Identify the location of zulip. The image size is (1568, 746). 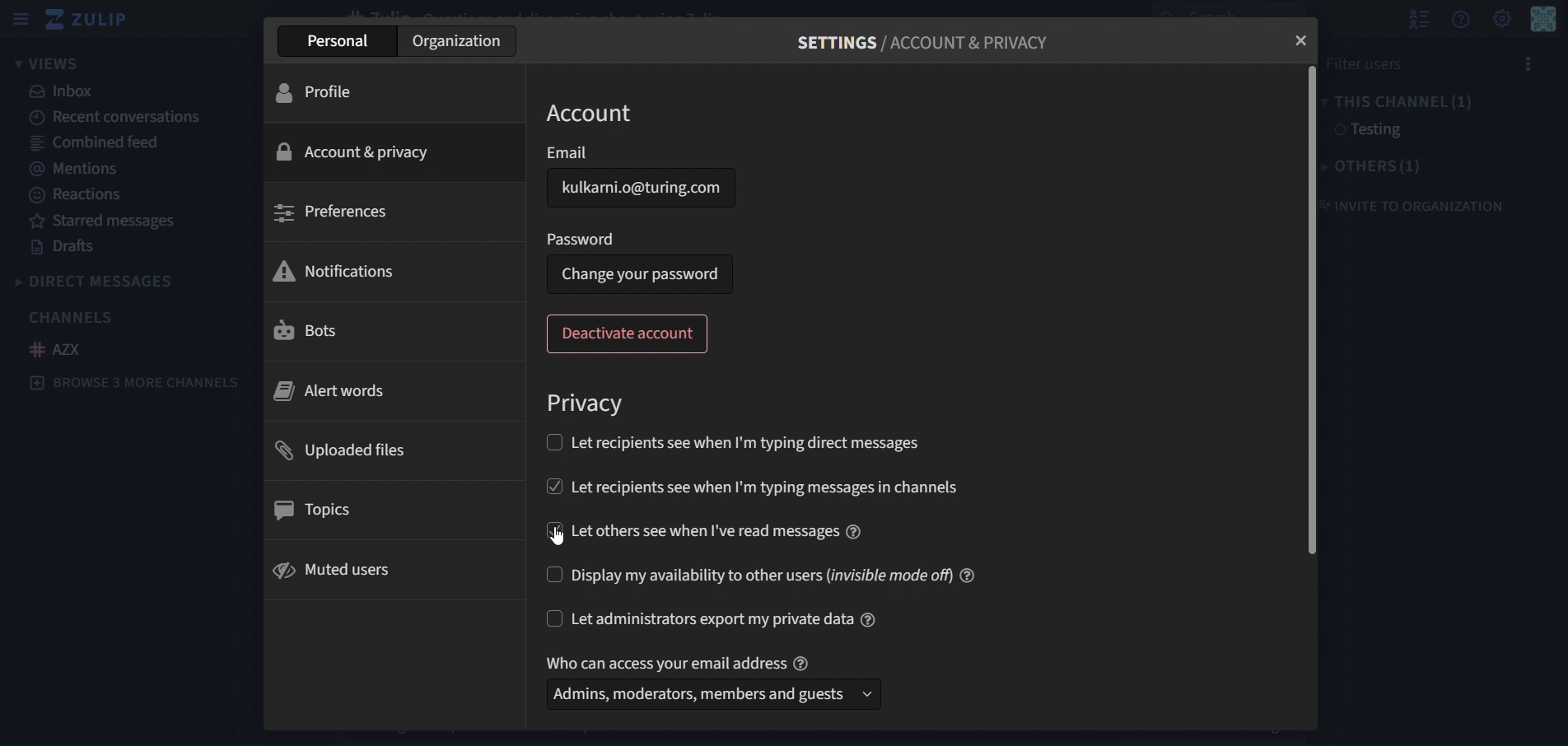
(88, 19).